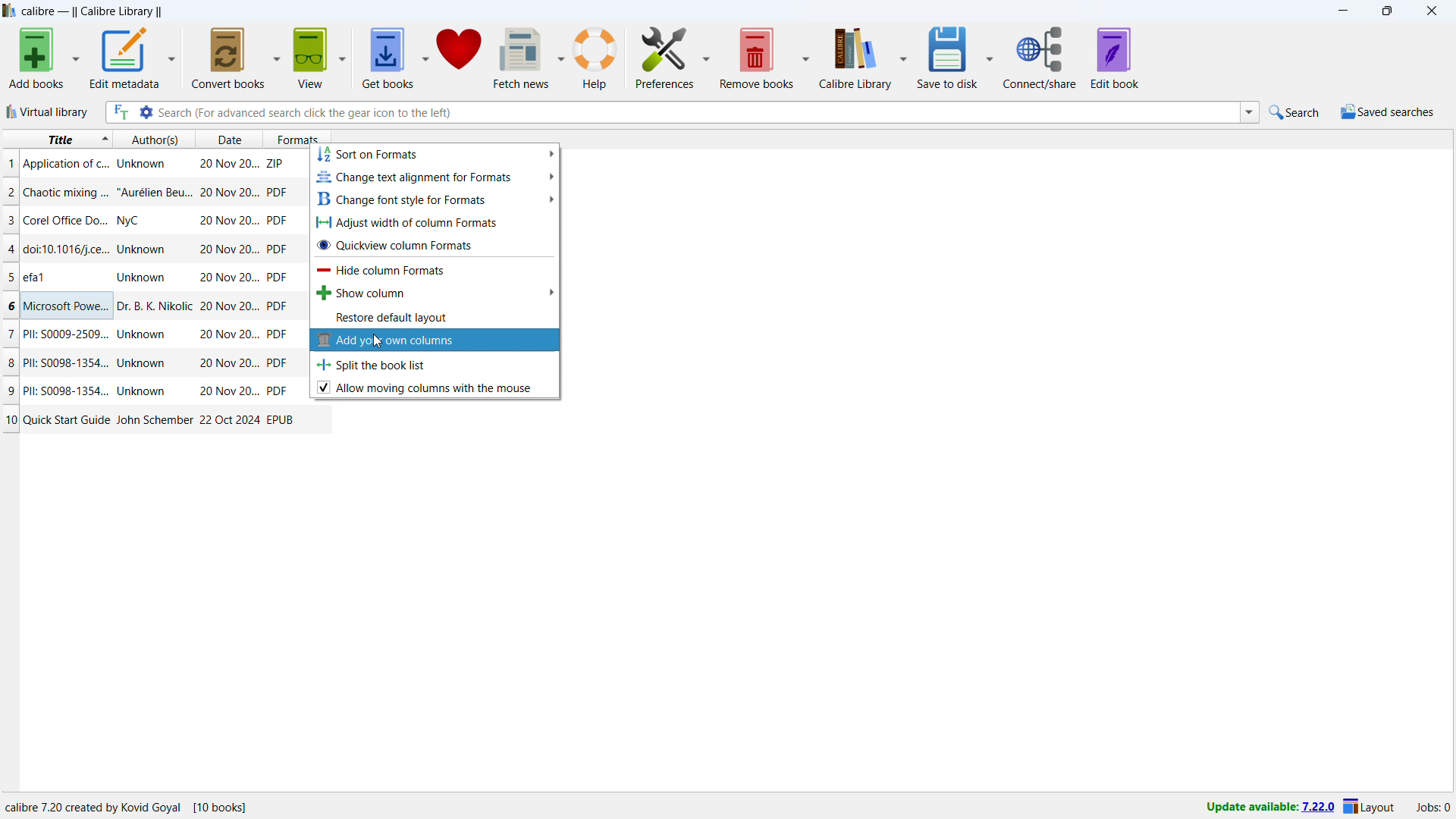 The width and height of the screenshot is (1456, 819). What do you see at coordinates (10, 248) in the screenshot?
I see `4` at bounding box center [10, 248].